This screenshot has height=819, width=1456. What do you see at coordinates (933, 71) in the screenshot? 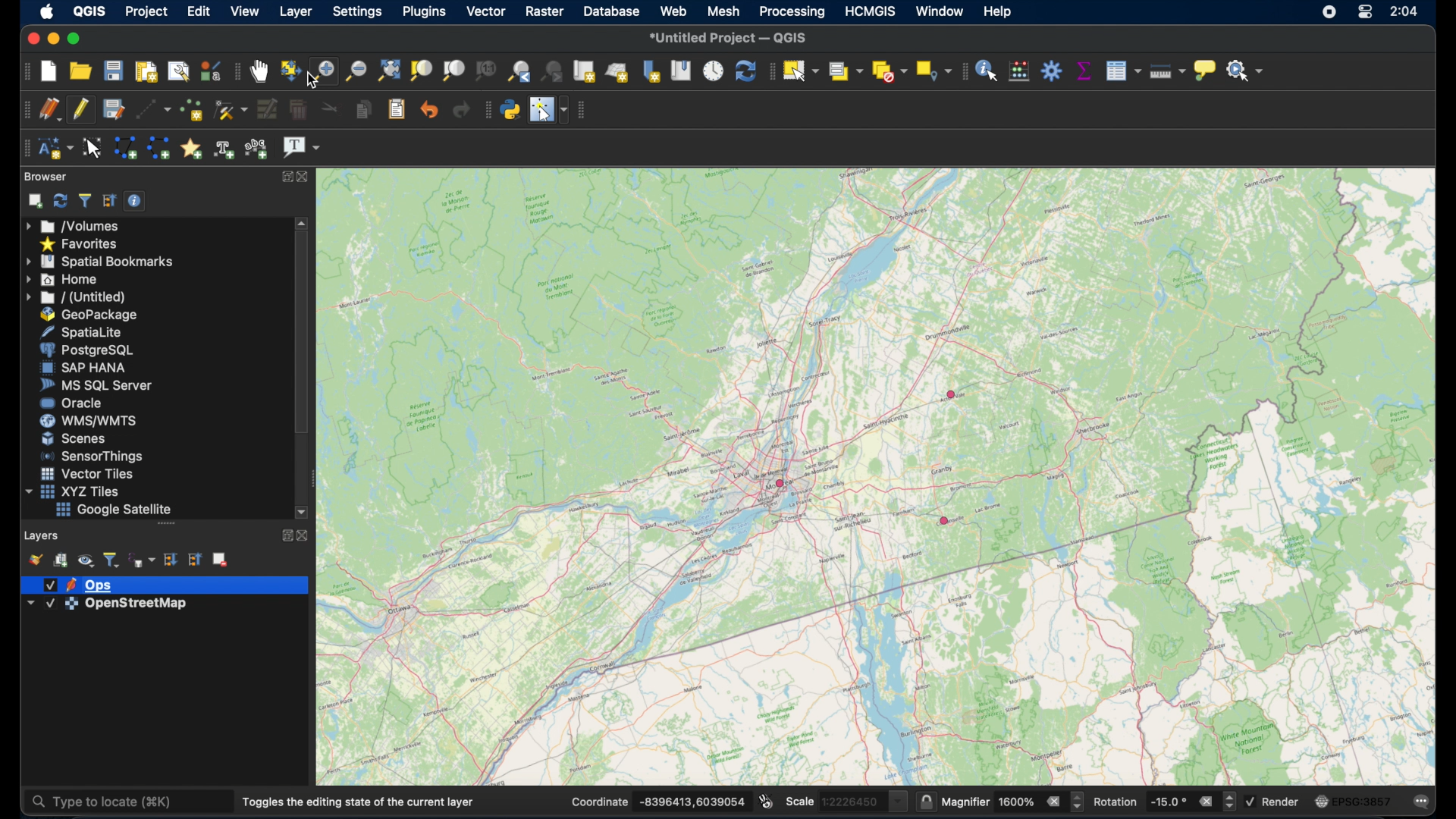
I see `select key location` at bounding box center [933, 71].